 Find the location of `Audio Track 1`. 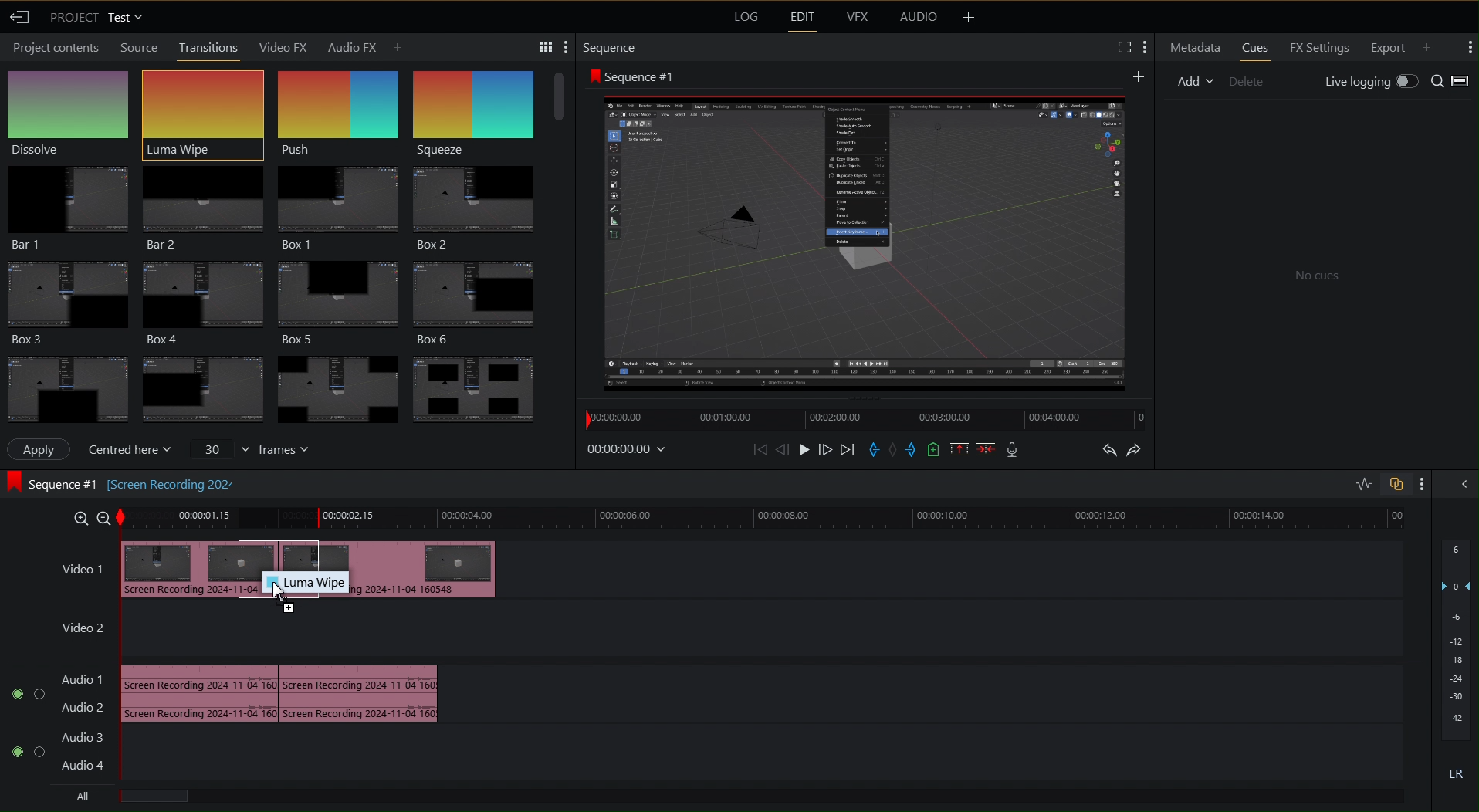

Audio Track 1 is located at coordinates (311, 692).